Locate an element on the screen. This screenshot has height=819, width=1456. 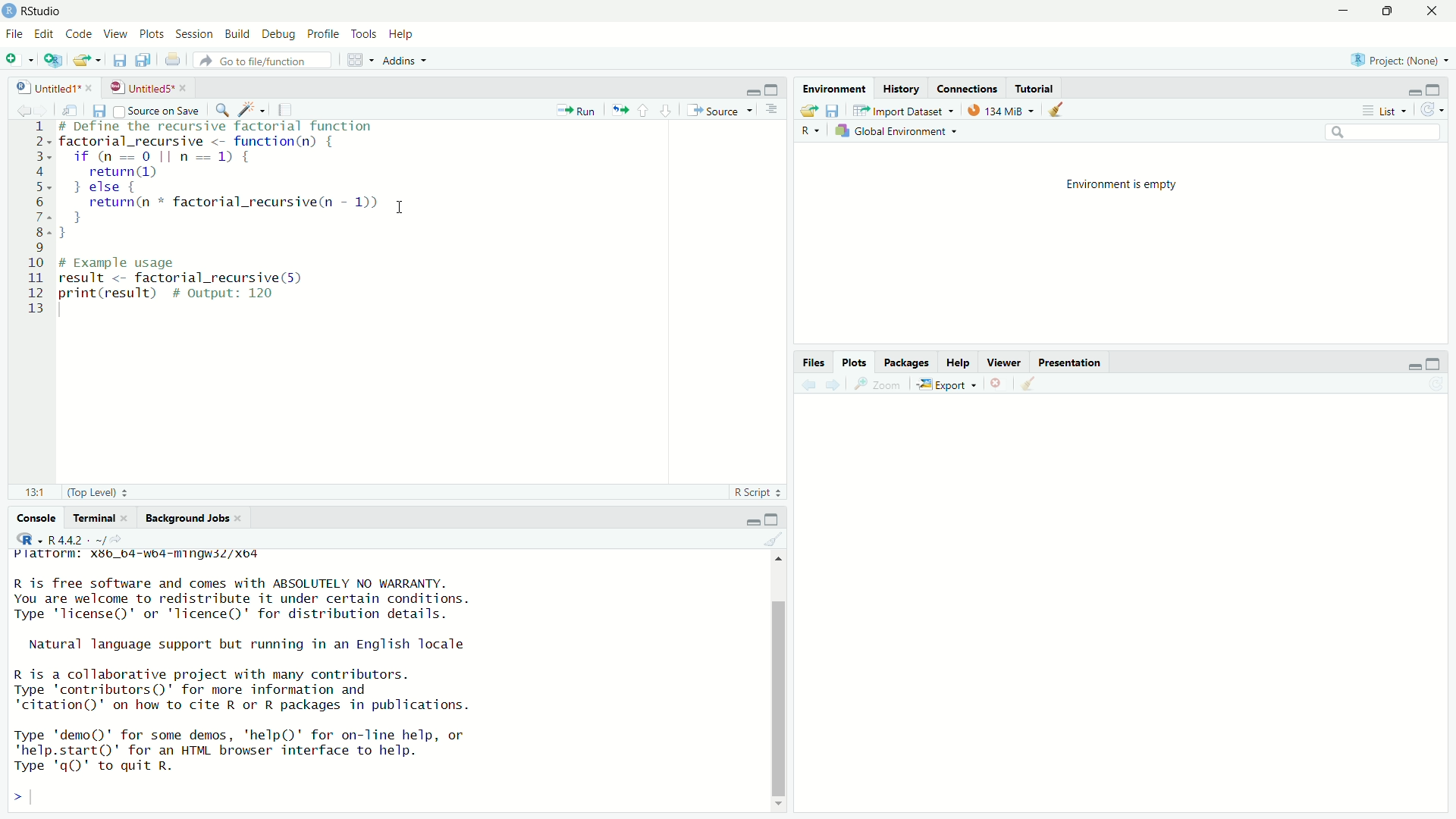
Packages is located at coordinates (909, 360).